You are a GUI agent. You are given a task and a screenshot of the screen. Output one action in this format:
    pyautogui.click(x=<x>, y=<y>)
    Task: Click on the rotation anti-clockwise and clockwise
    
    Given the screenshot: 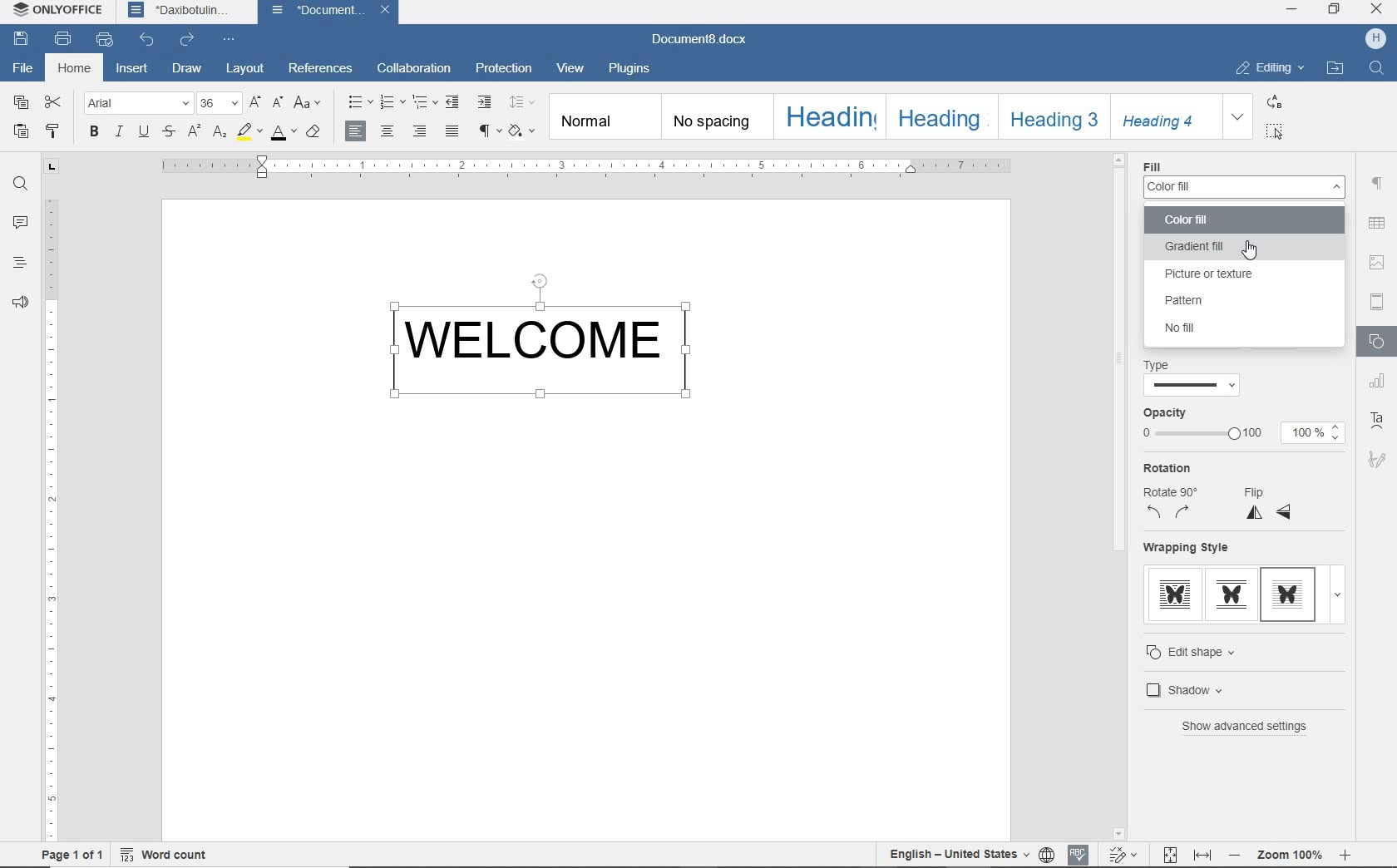 What is the action you would take?
    pyautogui.click(x=1170, y=513)
    